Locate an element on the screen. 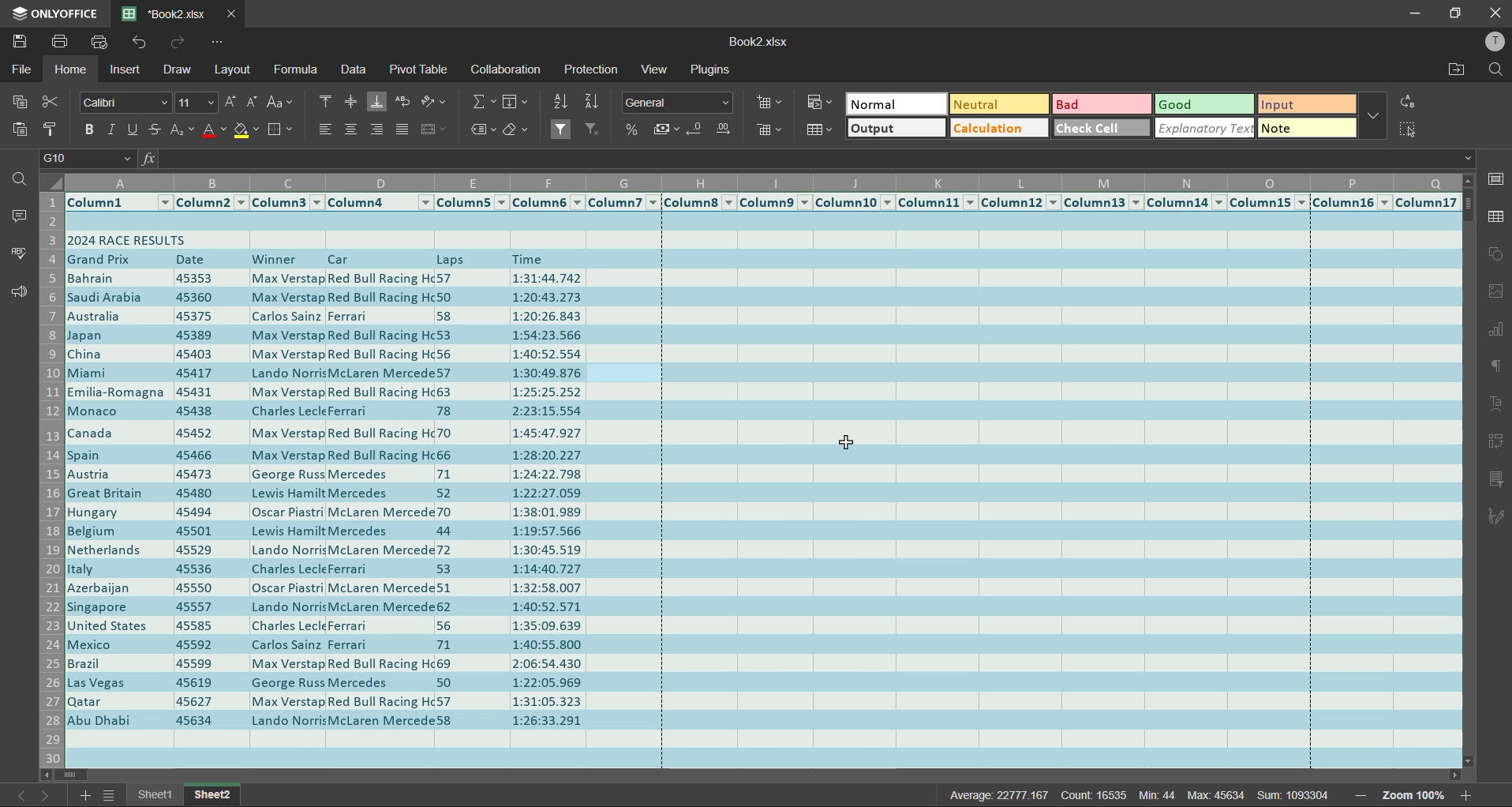  neutral is located at coordinates (997, 105).